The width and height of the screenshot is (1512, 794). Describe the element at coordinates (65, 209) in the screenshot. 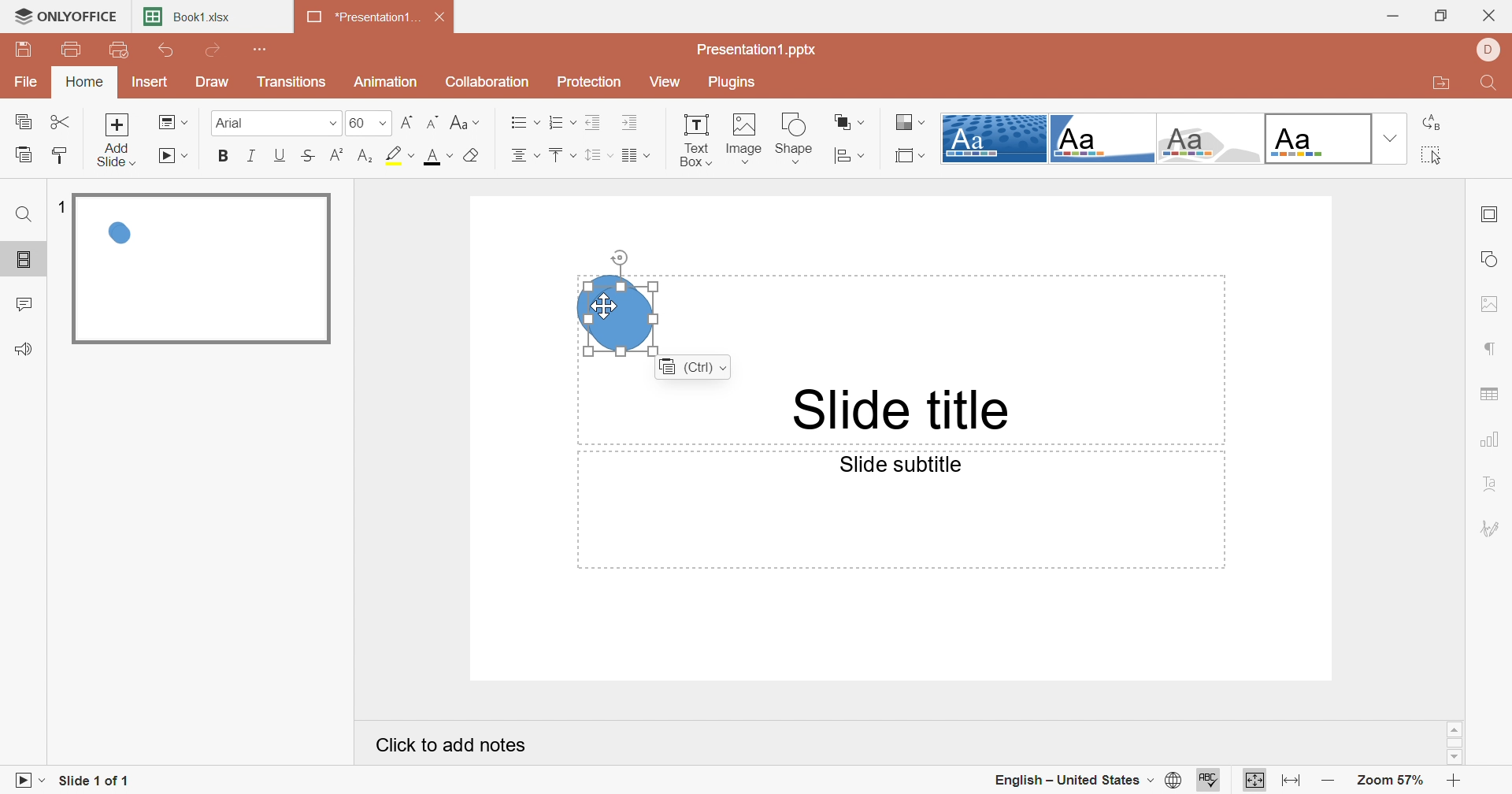

I see `1` at that location.